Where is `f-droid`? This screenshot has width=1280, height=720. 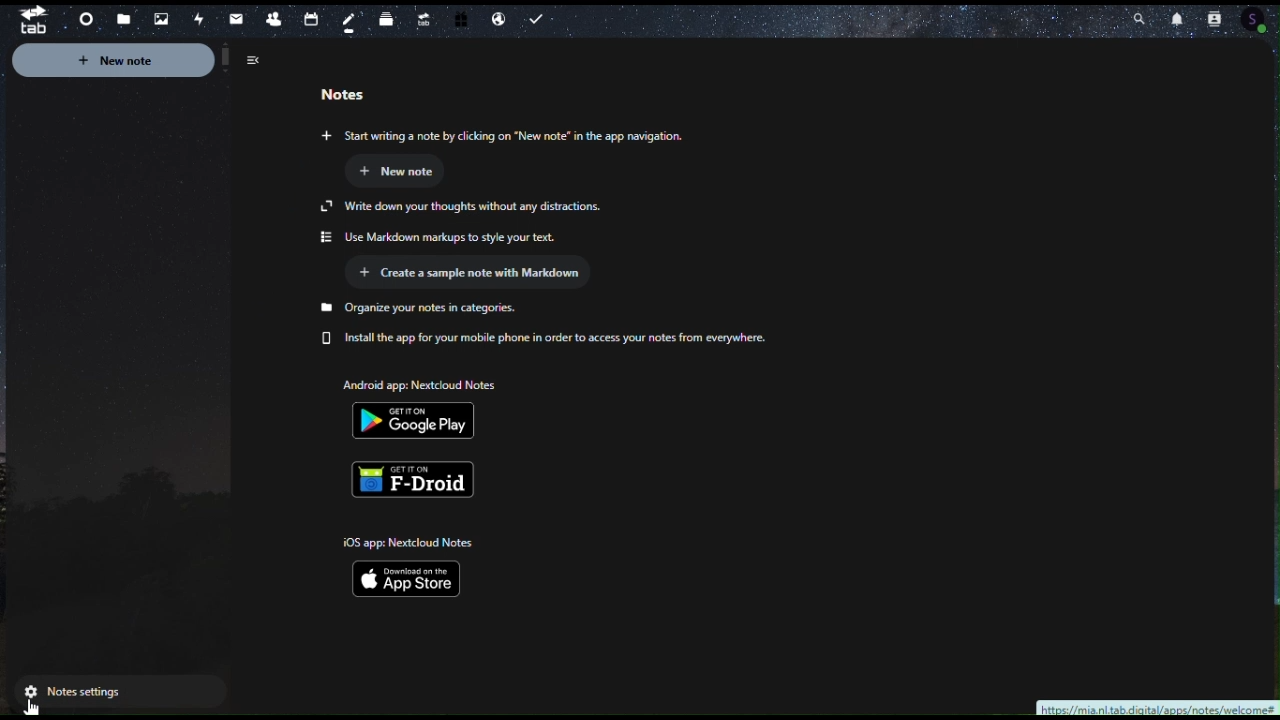
f-droid is located at coordinates (419, 475).